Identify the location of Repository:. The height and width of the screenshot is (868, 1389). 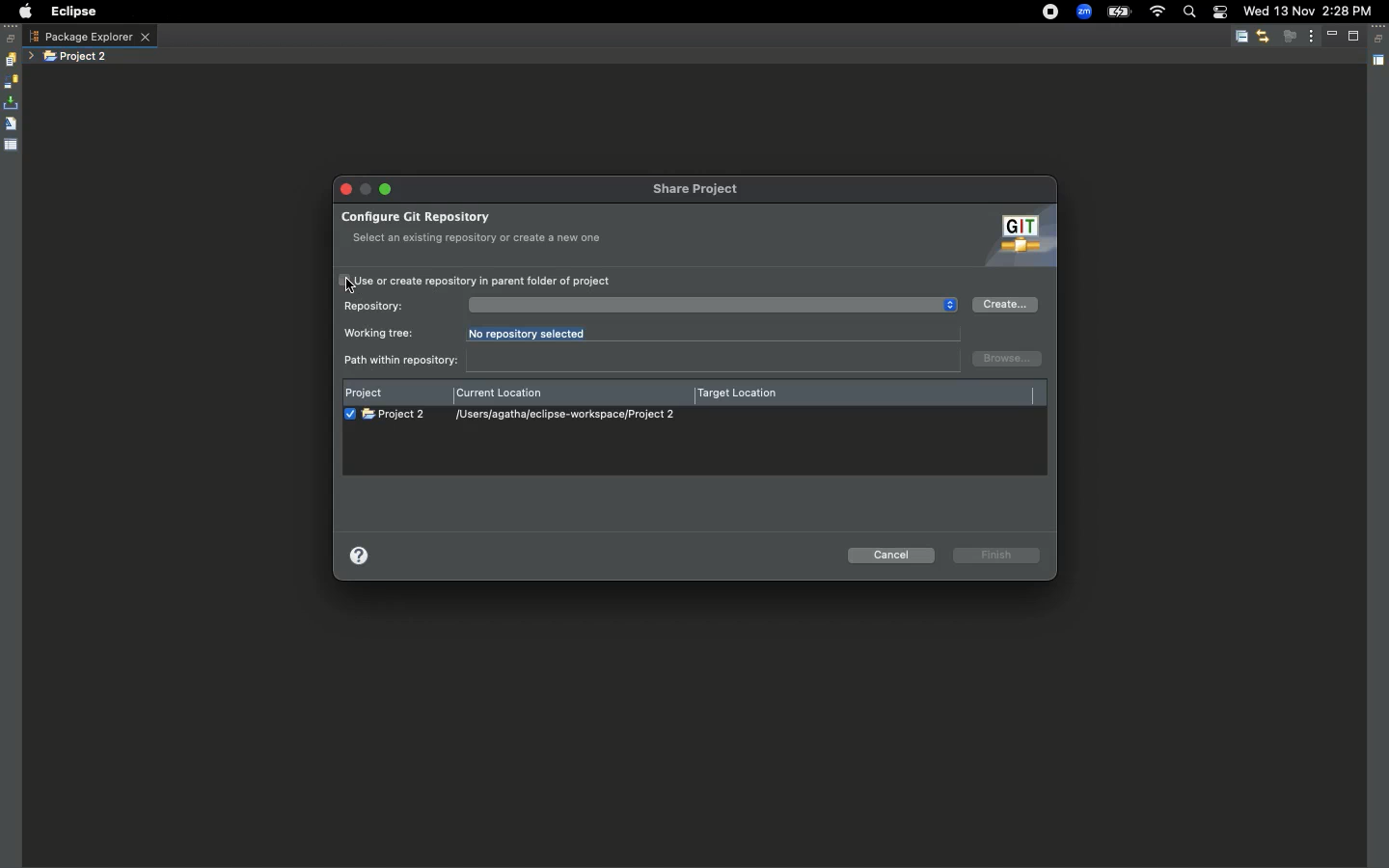
(375, 306).